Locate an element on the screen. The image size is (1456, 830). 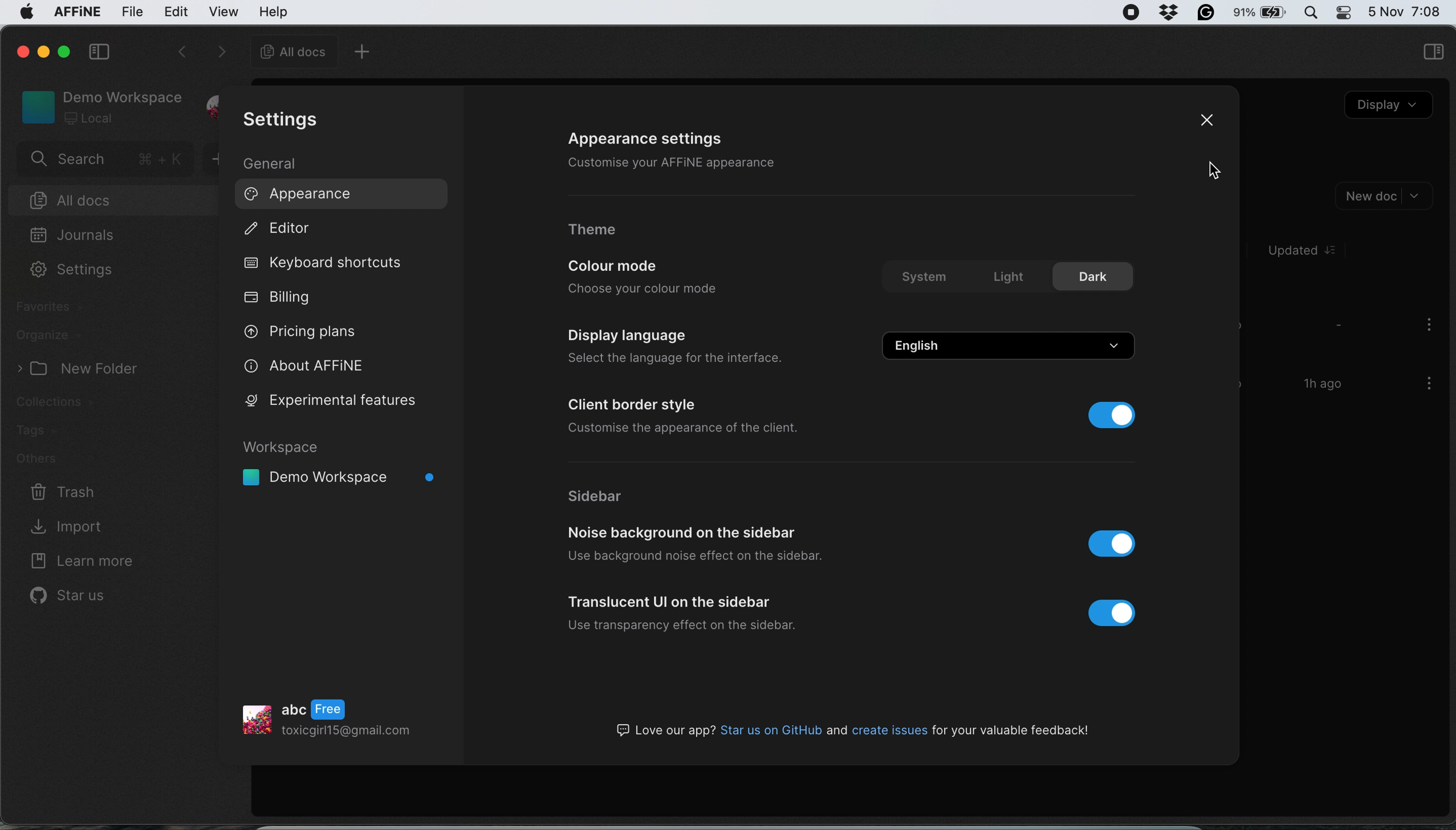
battery is located at coordinates (1263, 14).